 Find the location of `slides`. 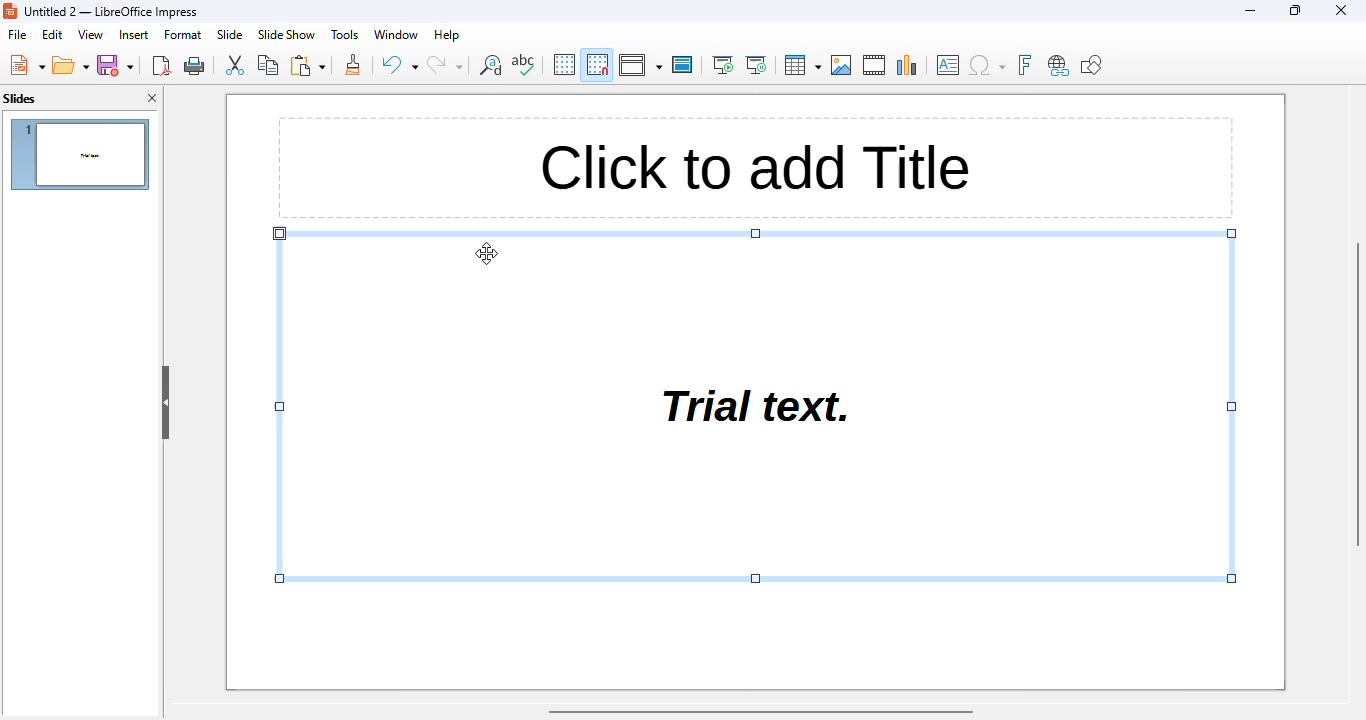

slides is located at coordinates (20, 98).